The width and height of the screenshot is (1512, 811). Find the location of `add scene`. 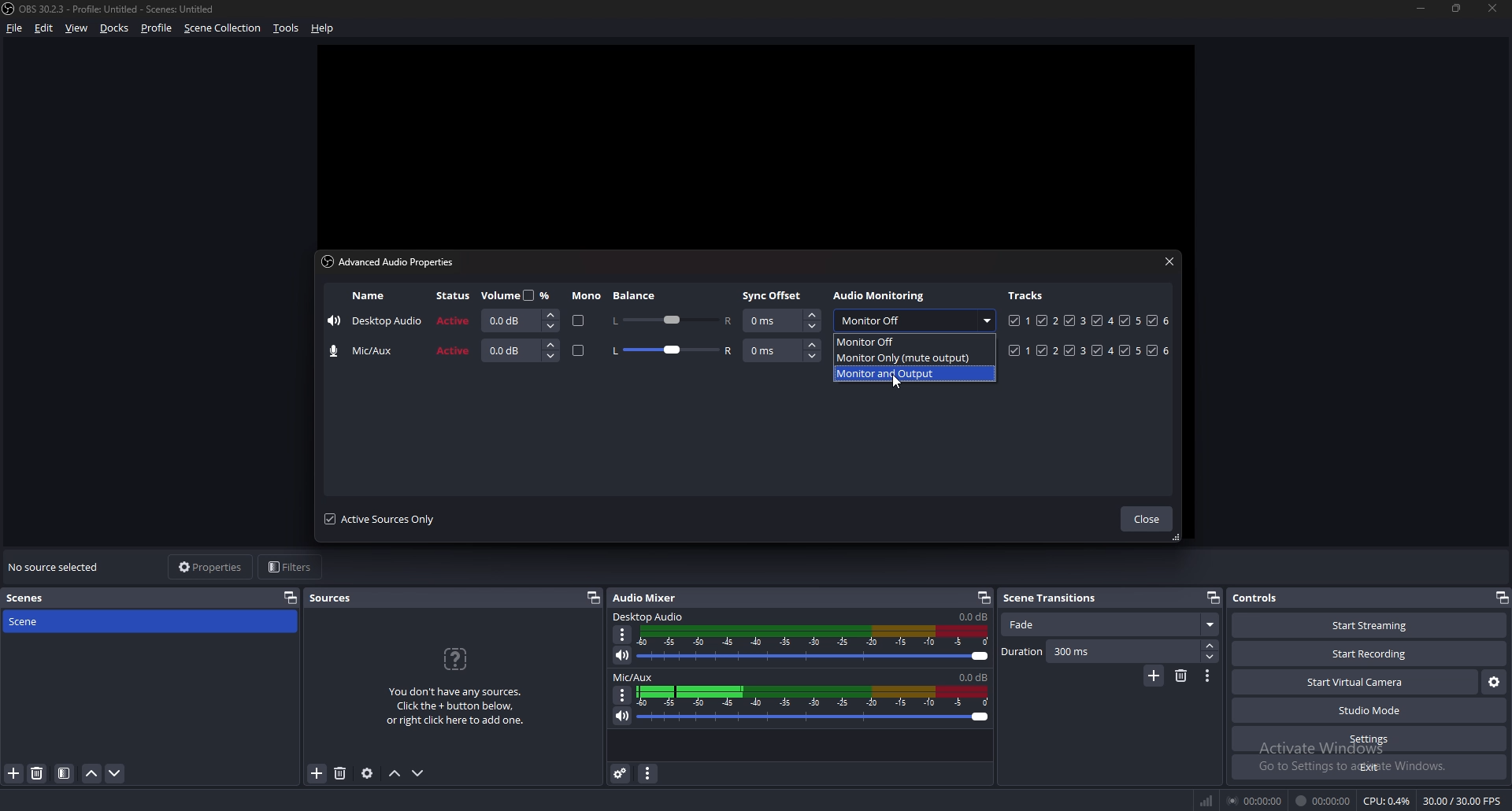

add scene is located at coordinates (14, 774).